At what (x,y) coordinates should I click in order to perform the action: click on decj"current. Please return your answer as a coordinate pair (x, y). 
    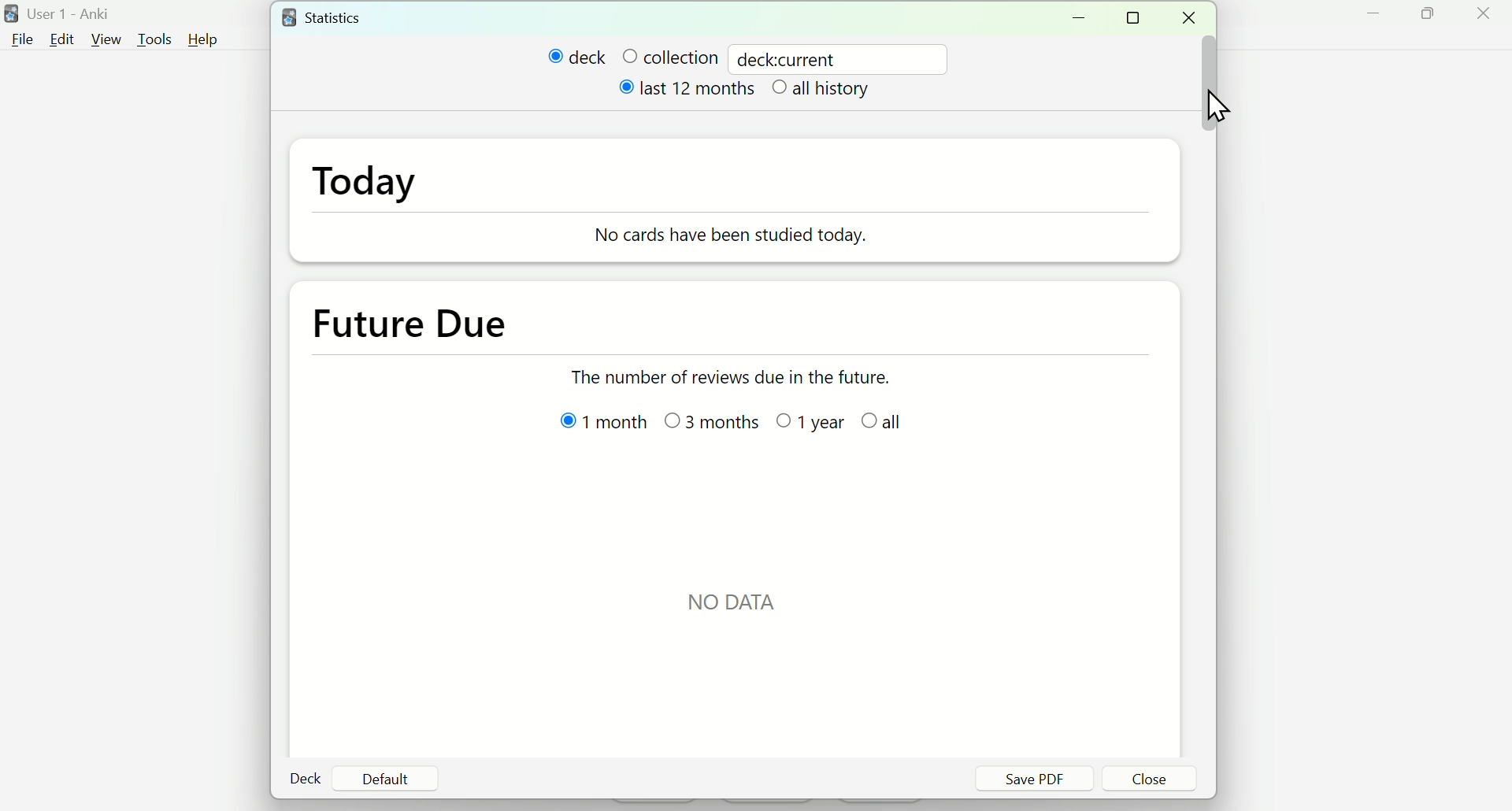
    Looking at the image, I should click on (794, 57).